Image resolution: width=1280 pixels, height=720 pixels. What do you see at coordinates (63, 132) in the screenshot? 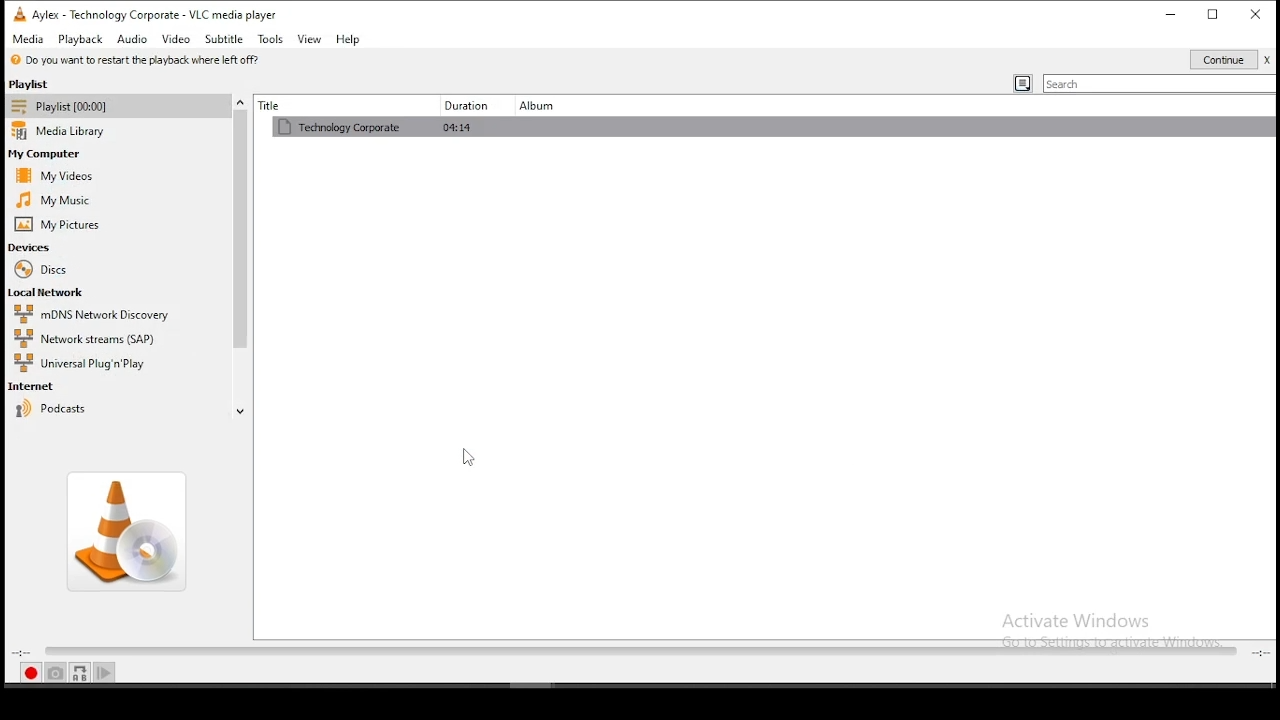
I see `media library` at bounding box center [63, 132].